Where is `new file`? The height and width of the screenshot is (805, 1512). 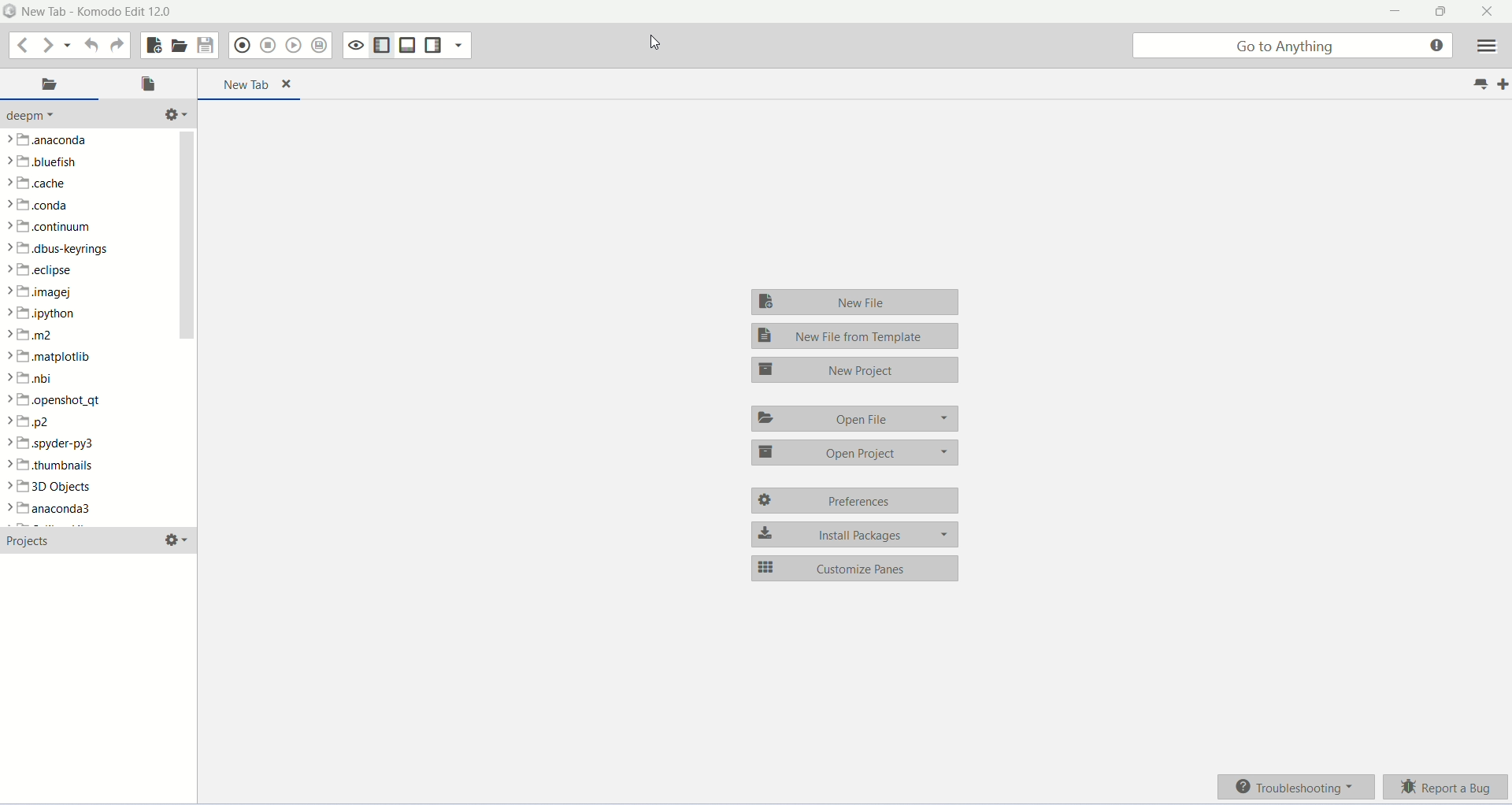 new file is located at coordinates (858, 299).